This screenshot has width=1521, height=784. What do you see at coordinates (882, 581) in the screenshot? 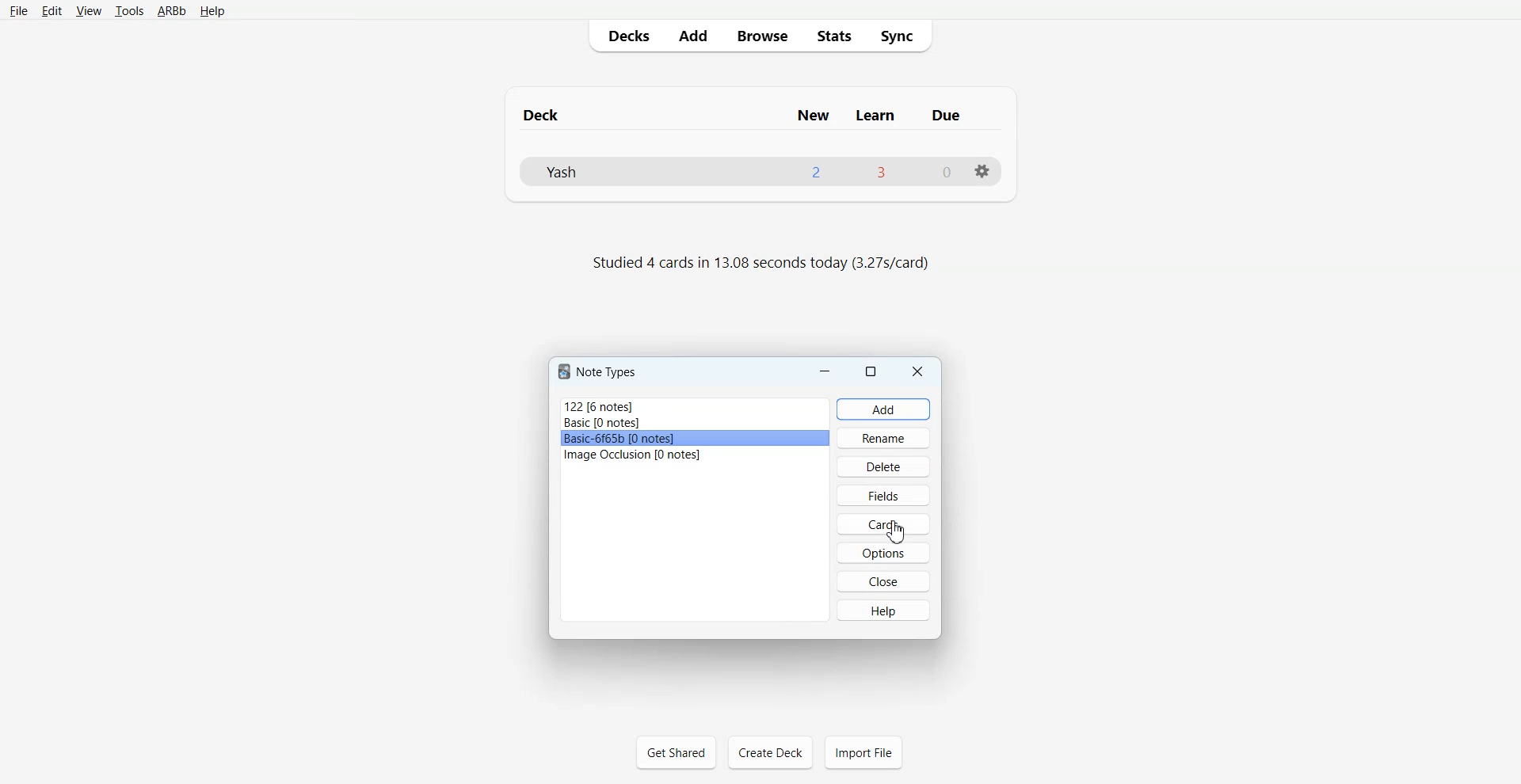
I see `Close` at bounding box center [882, 581].